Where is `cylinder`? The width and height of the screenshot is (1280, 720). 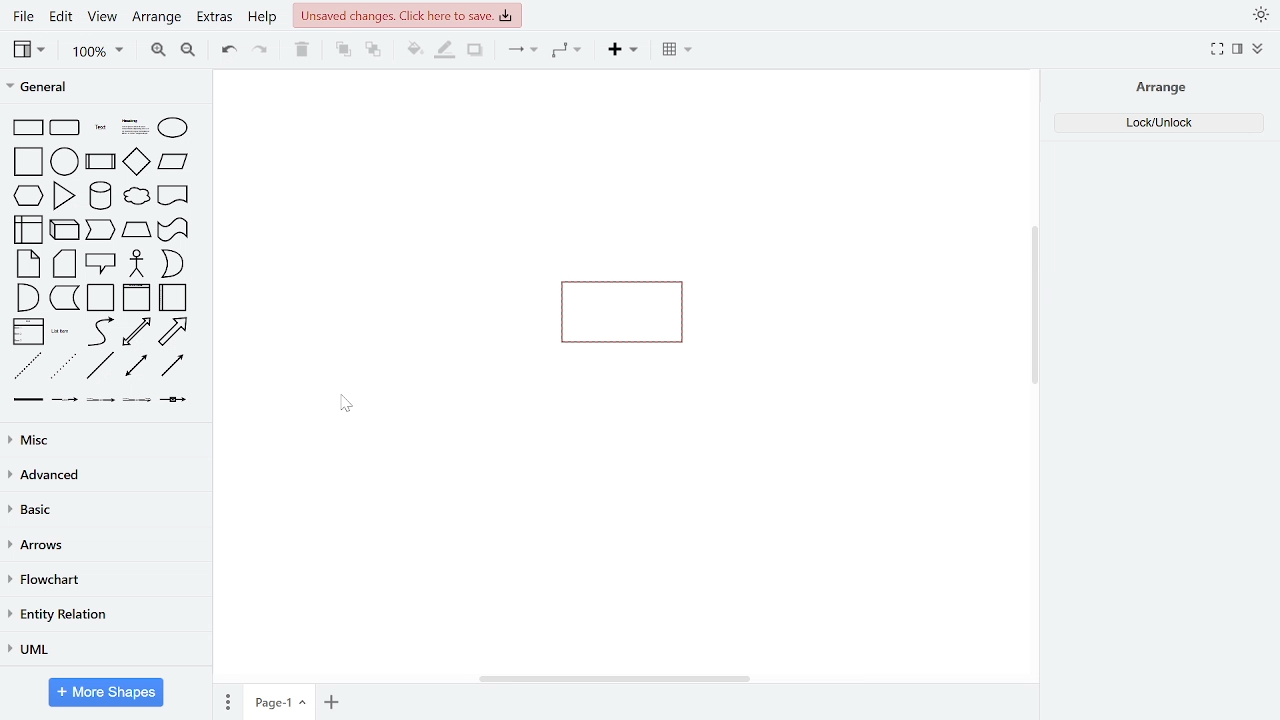
cylinder is located at coordinates (98, 195).